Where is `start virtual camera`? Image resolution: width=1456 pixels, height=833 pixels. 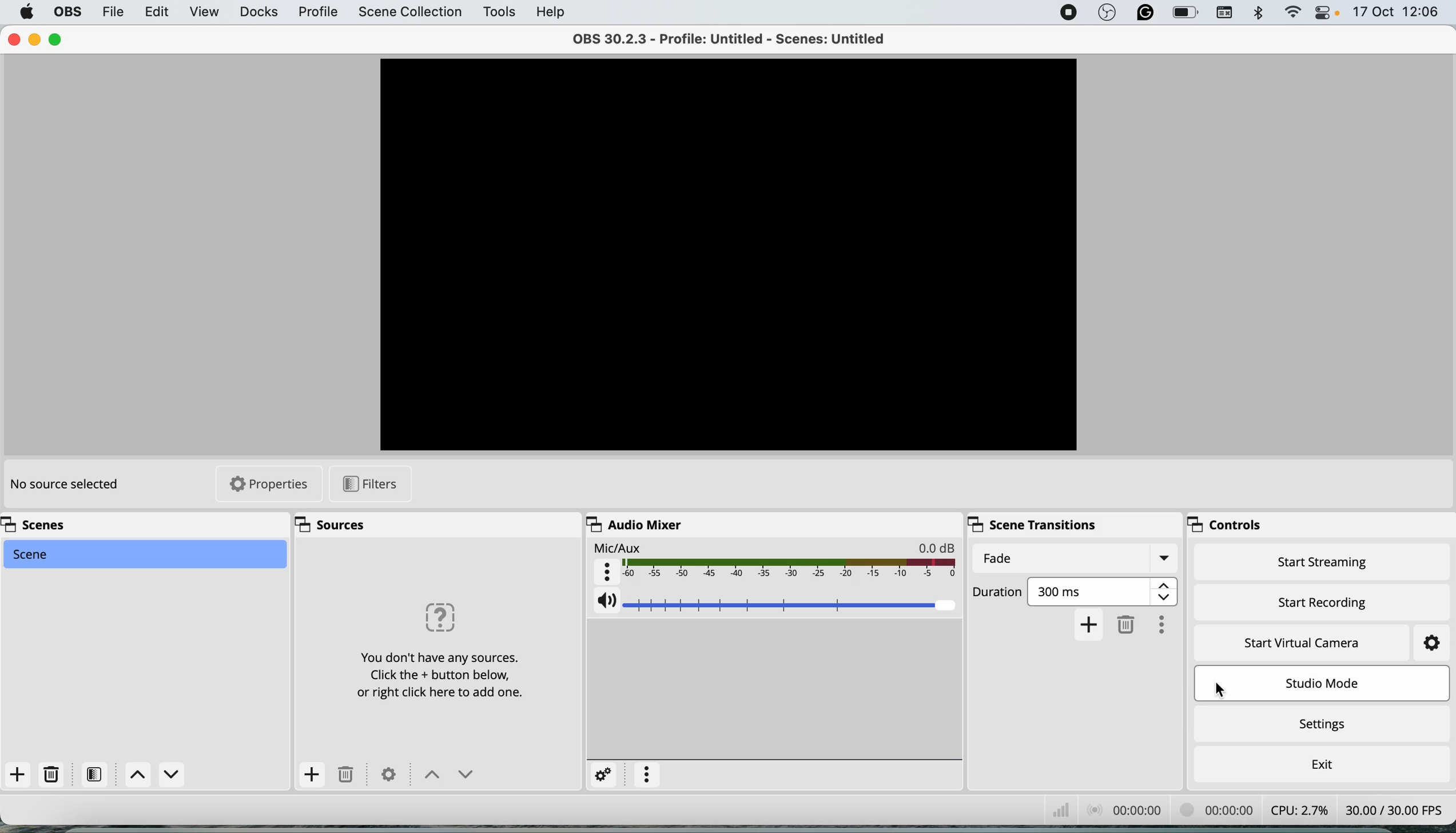 start virtual camera is located at coordinates (1303, 645).